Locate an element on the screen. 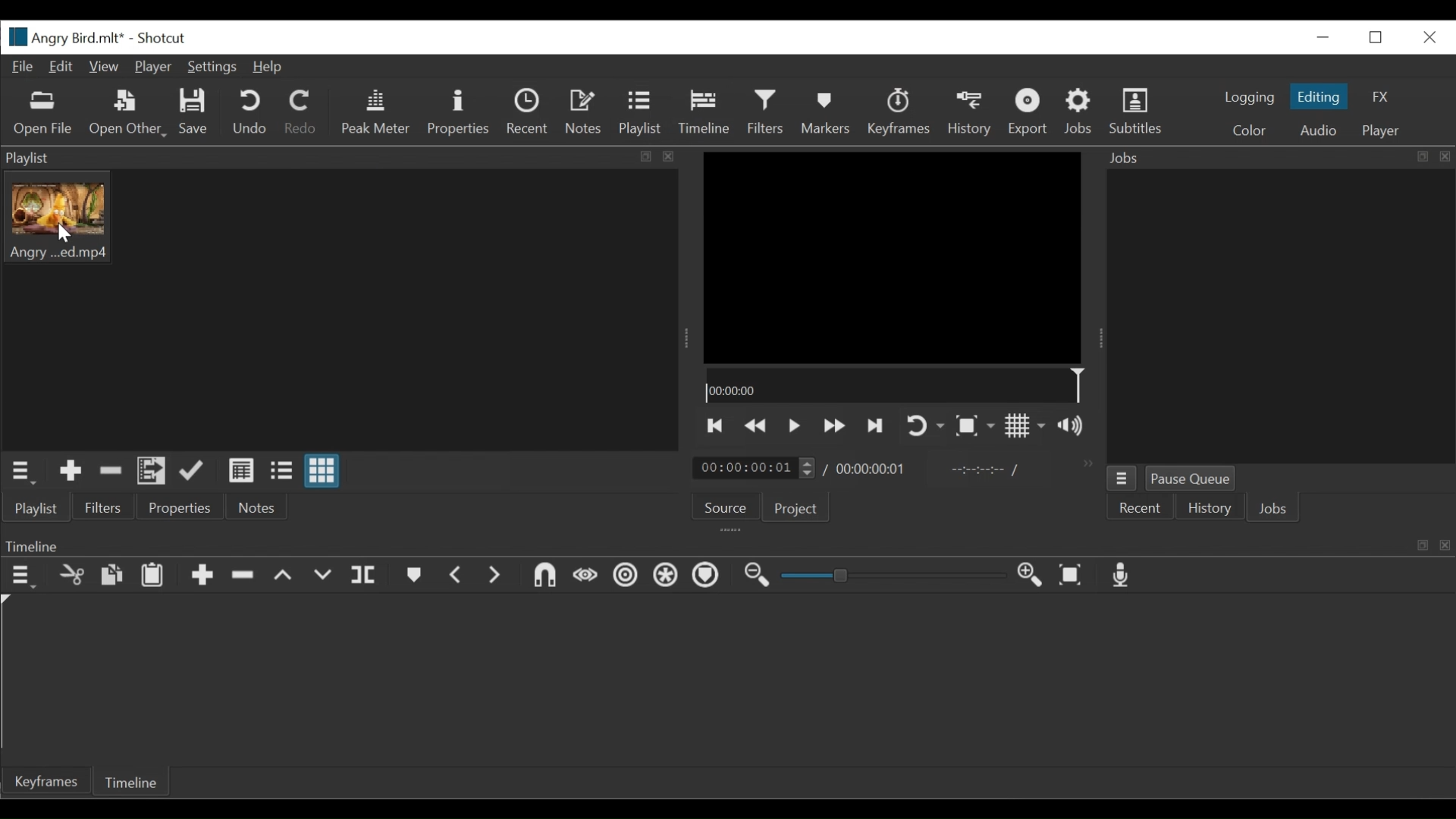 The image size is (1456, 819). copy is located at coordinates (111, 576).